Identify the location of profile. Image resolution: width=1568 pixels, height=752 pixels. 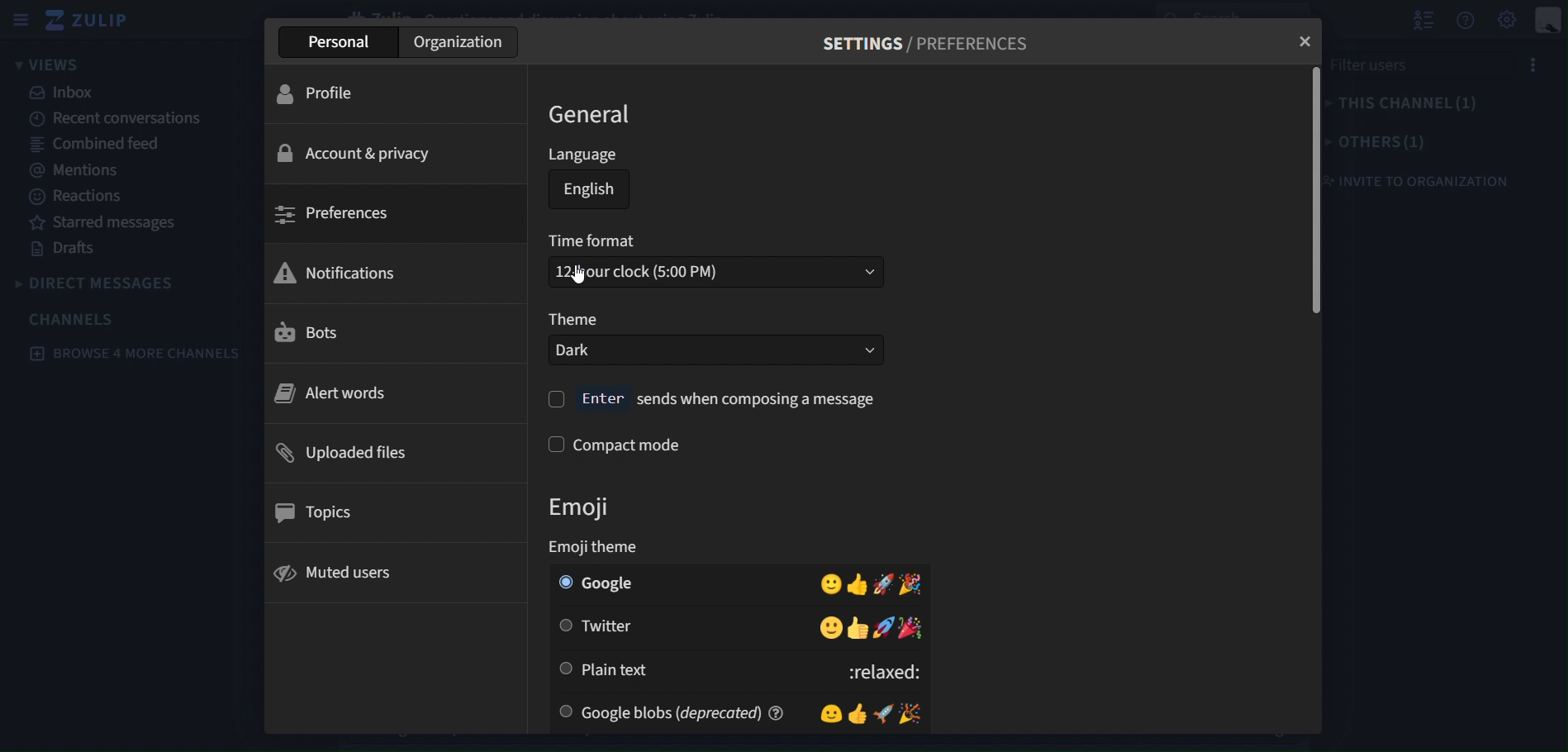
(382, 93).